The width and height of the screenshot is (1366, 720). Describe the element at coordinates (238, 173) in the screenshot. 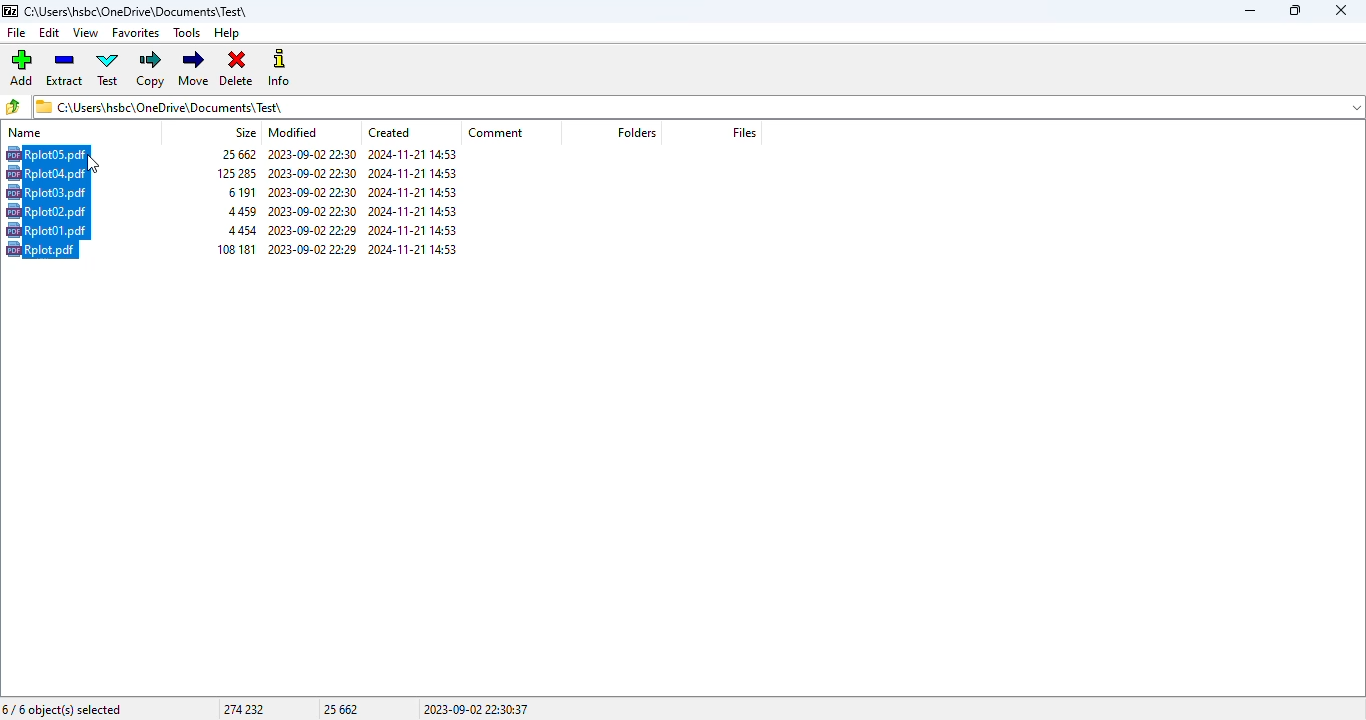

I see `size` at that location.